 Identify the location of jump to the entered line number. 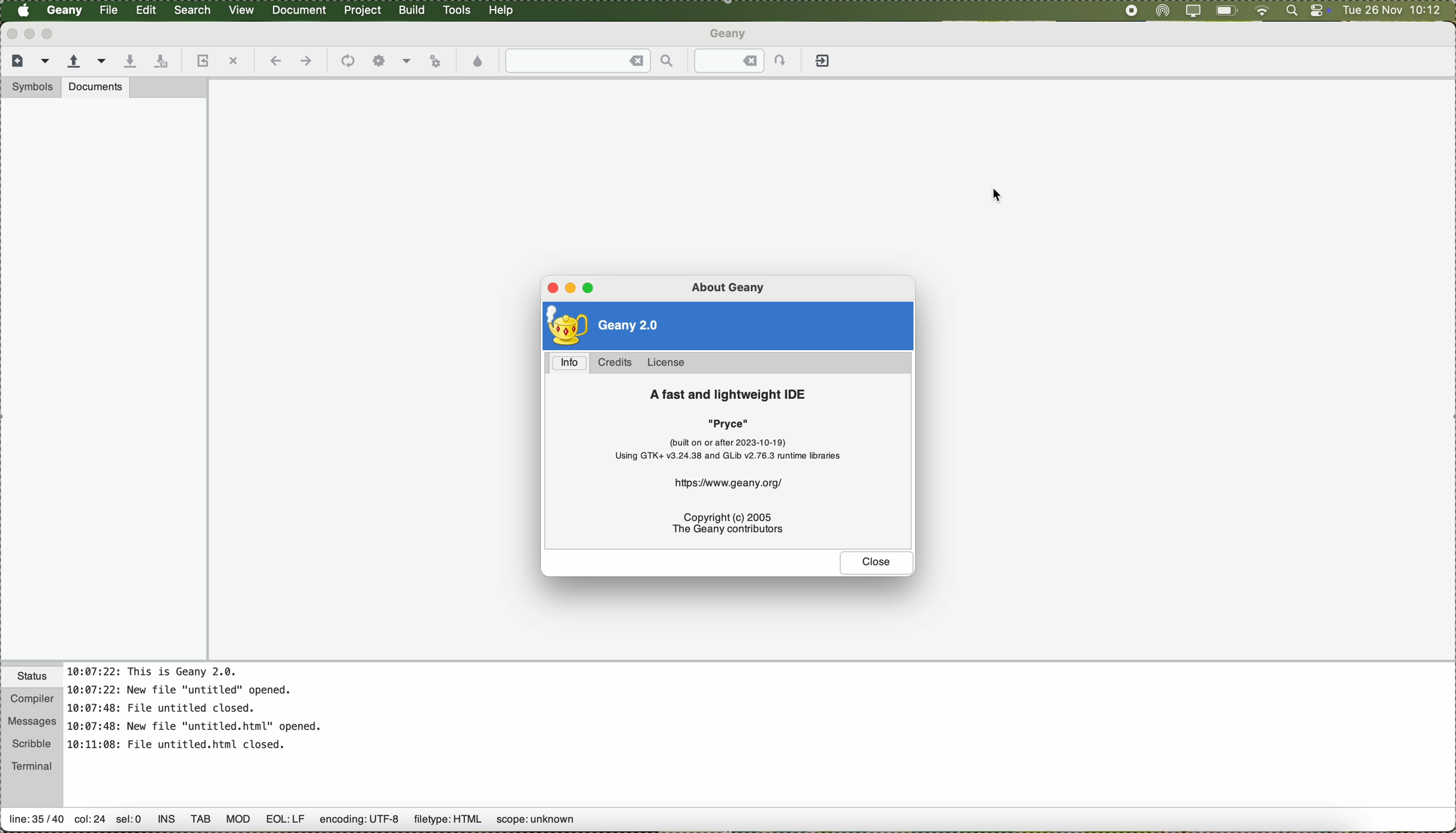
(742, 61).